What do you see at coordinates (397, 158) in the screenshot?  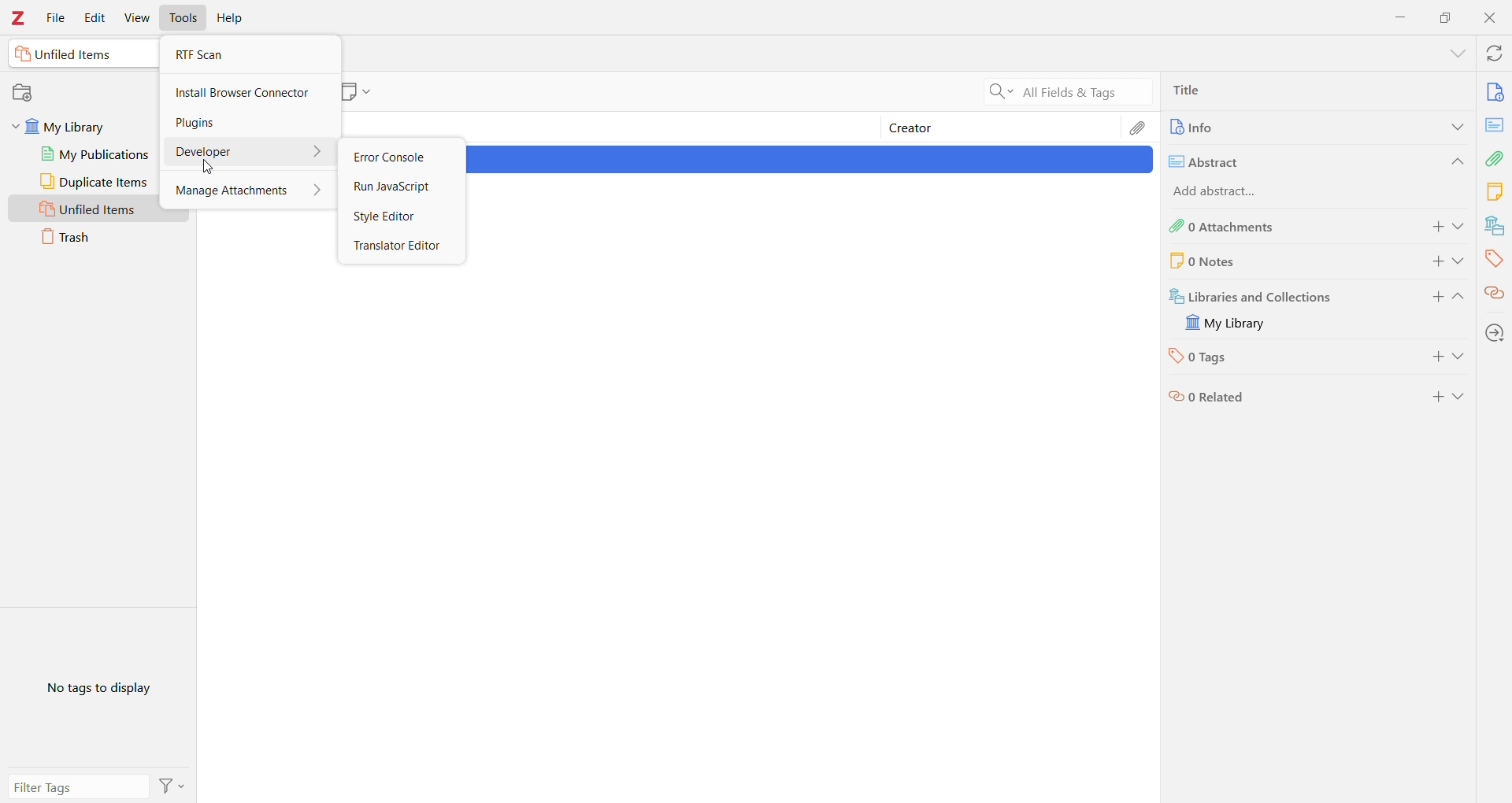 I see `Error Console` at bounding box center [397, 158].